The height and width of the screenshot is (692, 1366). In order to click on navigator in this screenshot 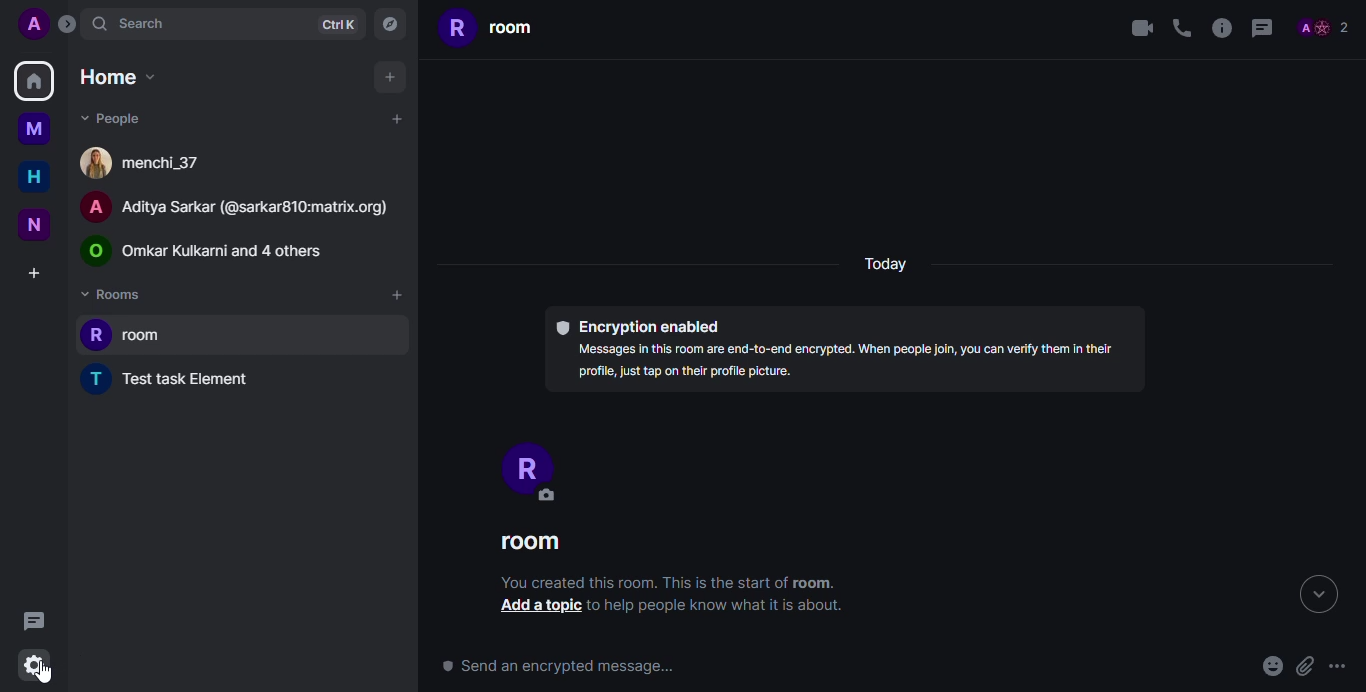, I will do `click(389, 23)`.